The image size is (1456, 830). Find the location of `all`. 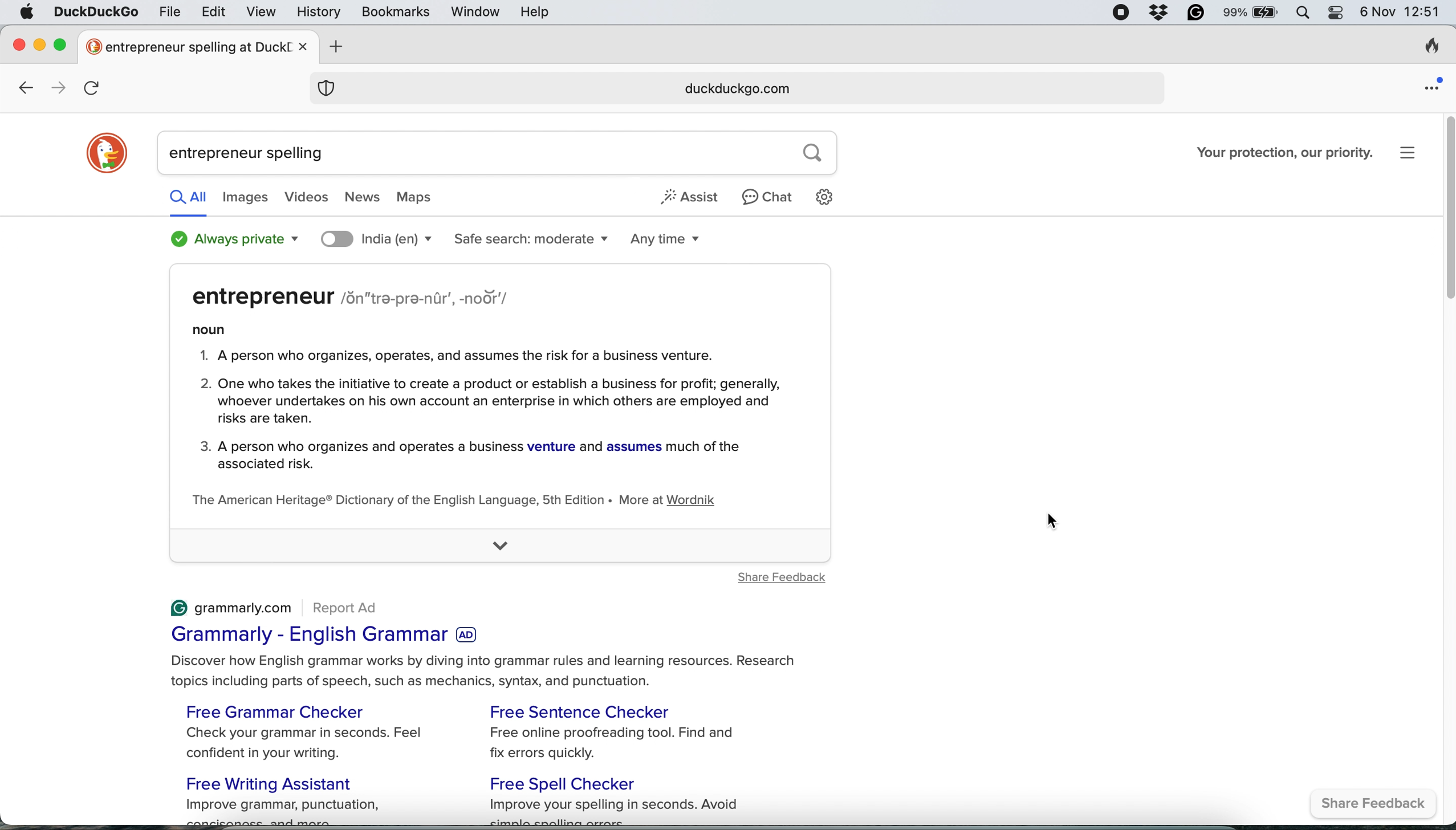

all is located at coordinates (182, 197).